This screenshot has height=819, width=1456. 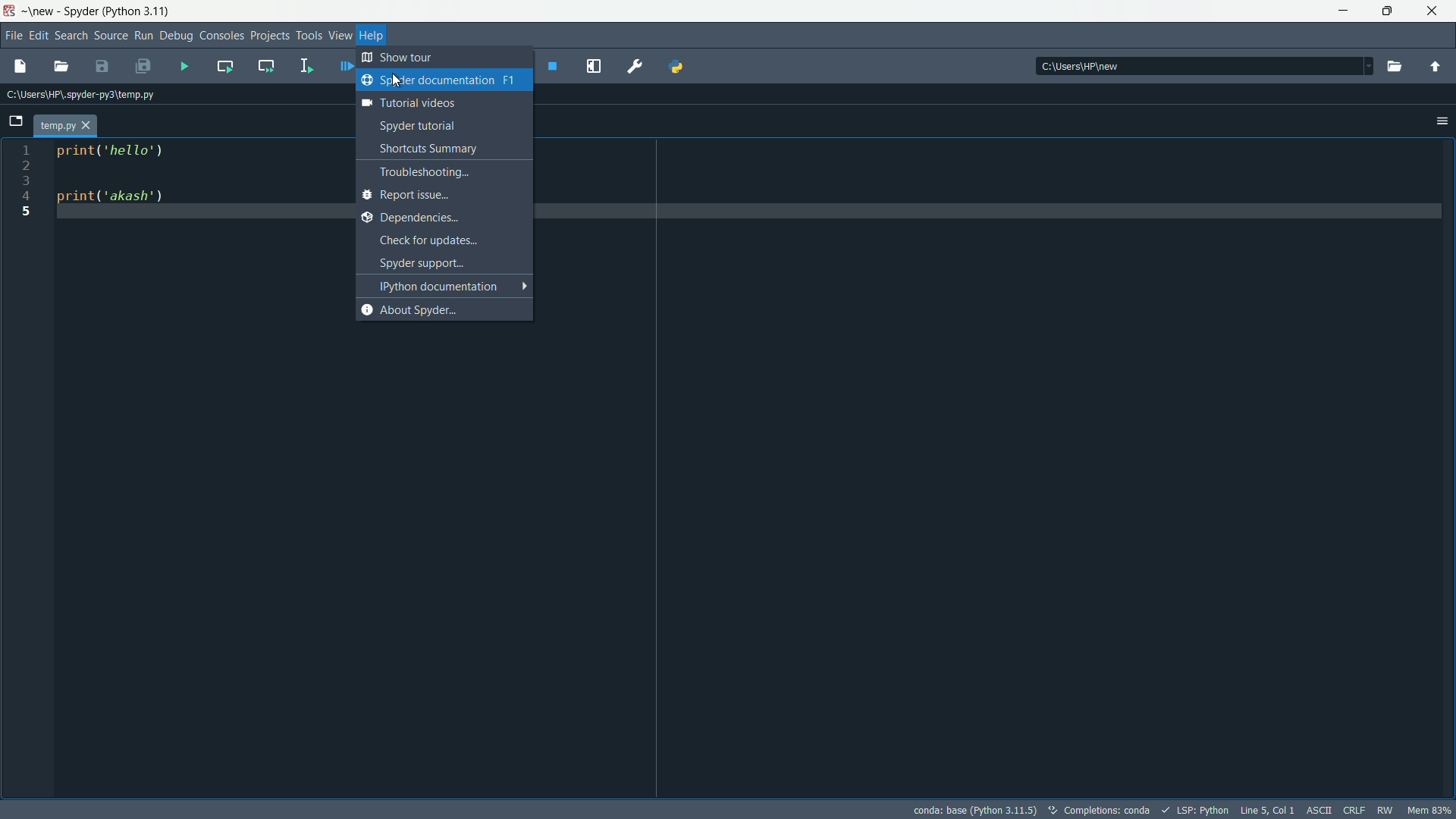 I want to click on report issue, so click(x=440, y=194).